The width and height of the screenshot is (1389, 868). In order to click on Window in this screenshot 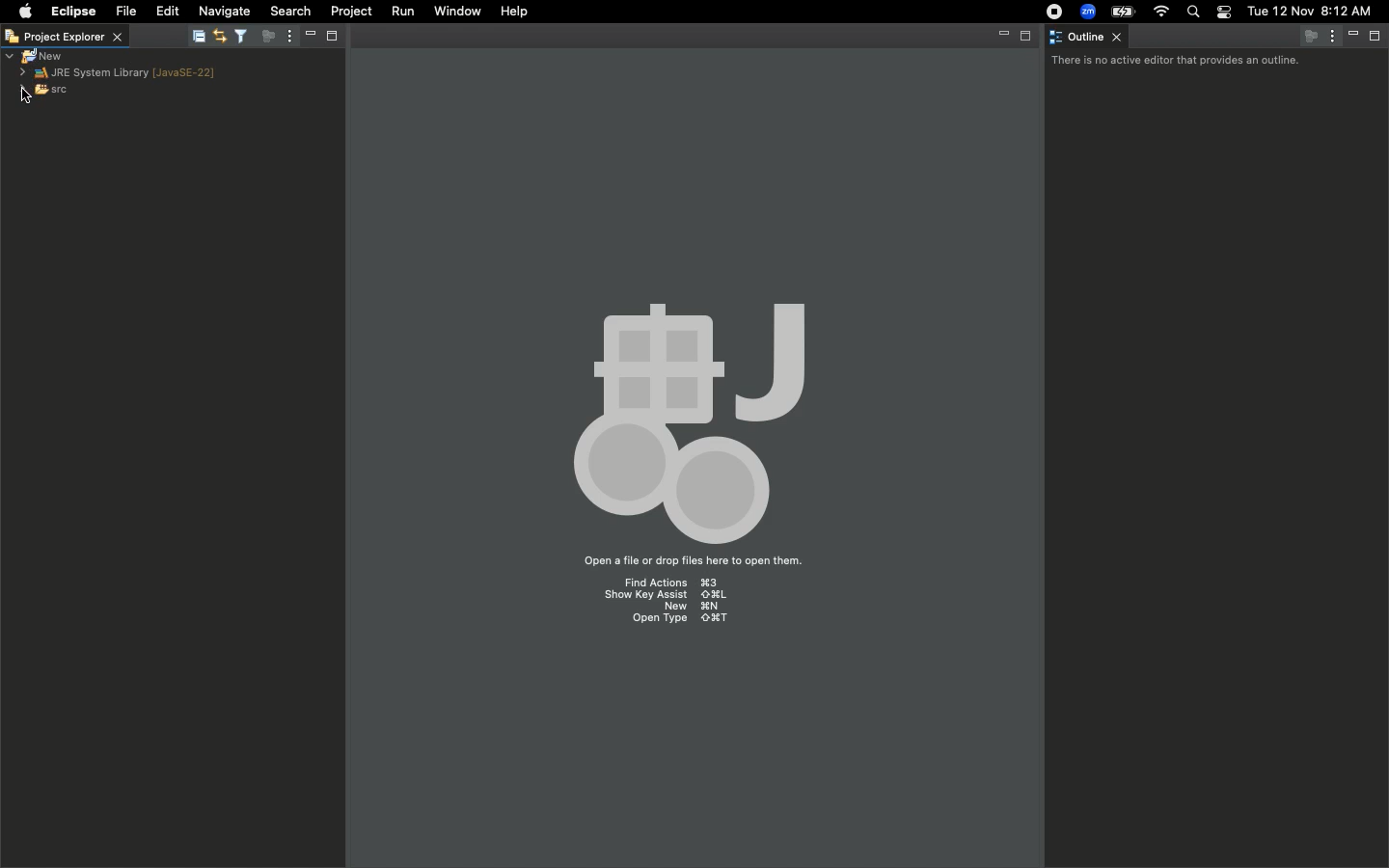, I will do `click(454, 12)`.